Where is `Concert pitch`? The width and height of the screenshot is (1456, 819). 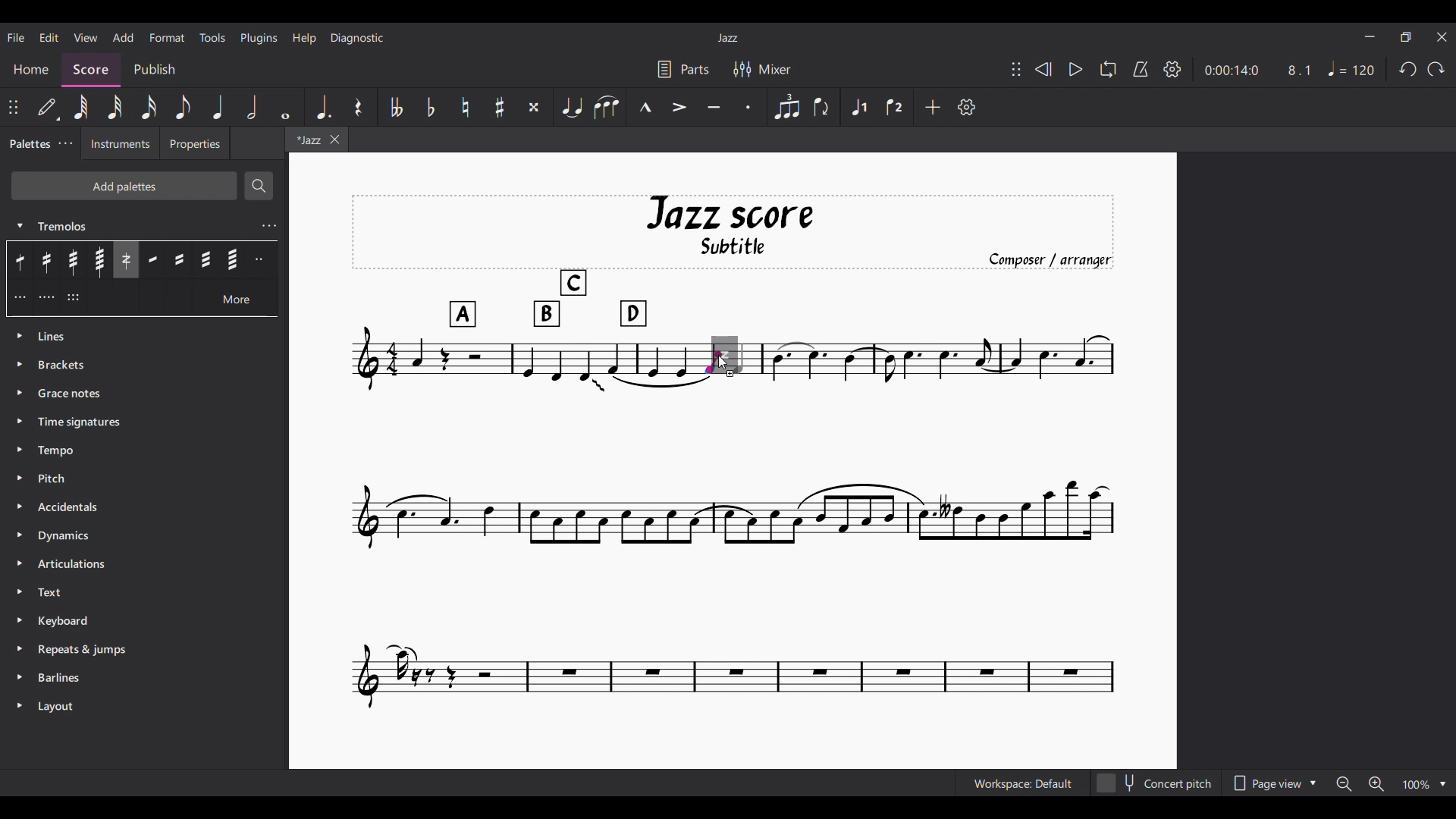
Concert pitch is located at coordinates (1154, 783).